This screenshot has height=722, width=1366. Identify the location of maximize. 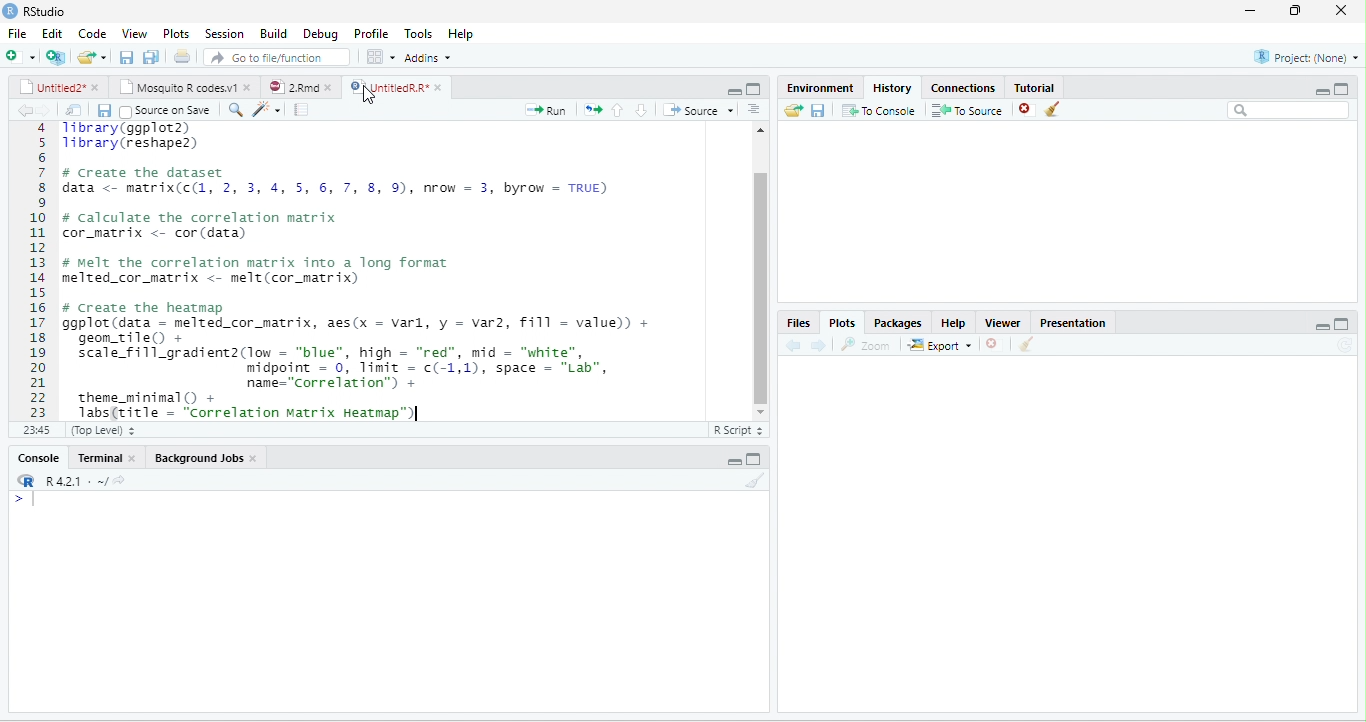
(1299, 11).